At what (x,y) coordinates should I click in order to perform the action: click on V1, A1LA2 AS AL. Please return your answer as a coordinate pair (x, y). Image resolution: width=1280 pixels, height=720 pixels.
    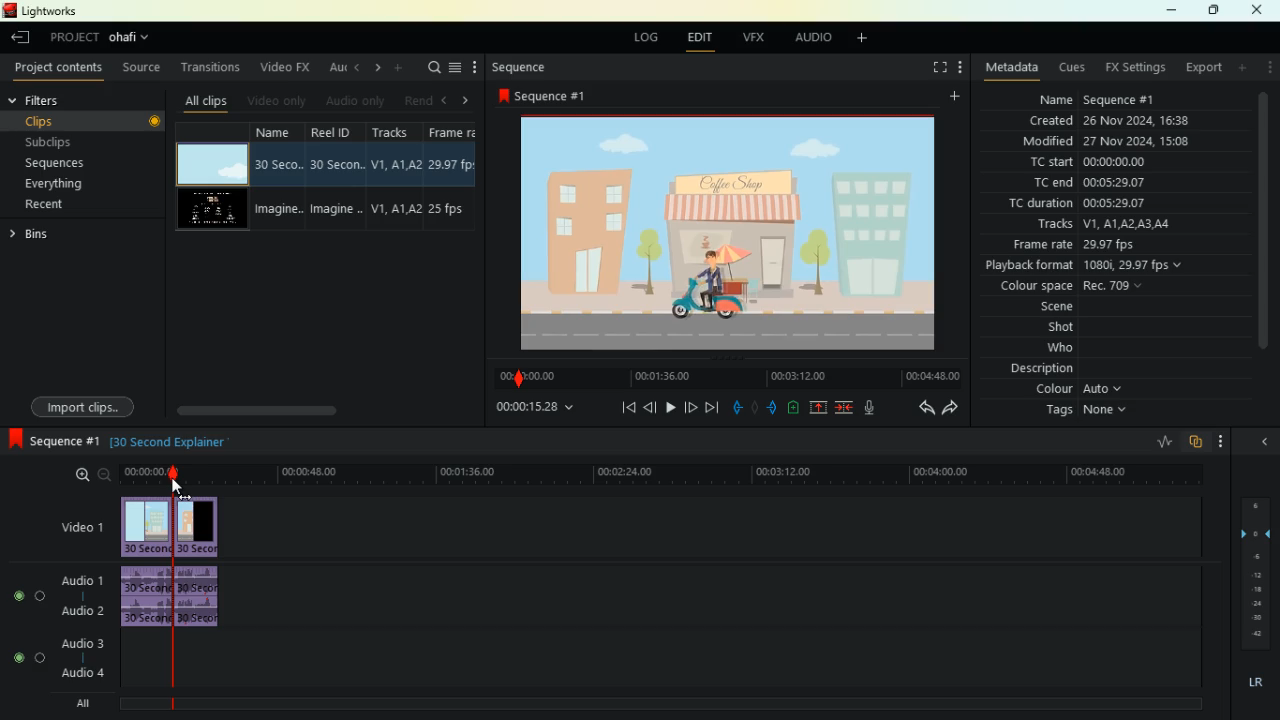
    Looking at the image, I should click on (1132, 223).